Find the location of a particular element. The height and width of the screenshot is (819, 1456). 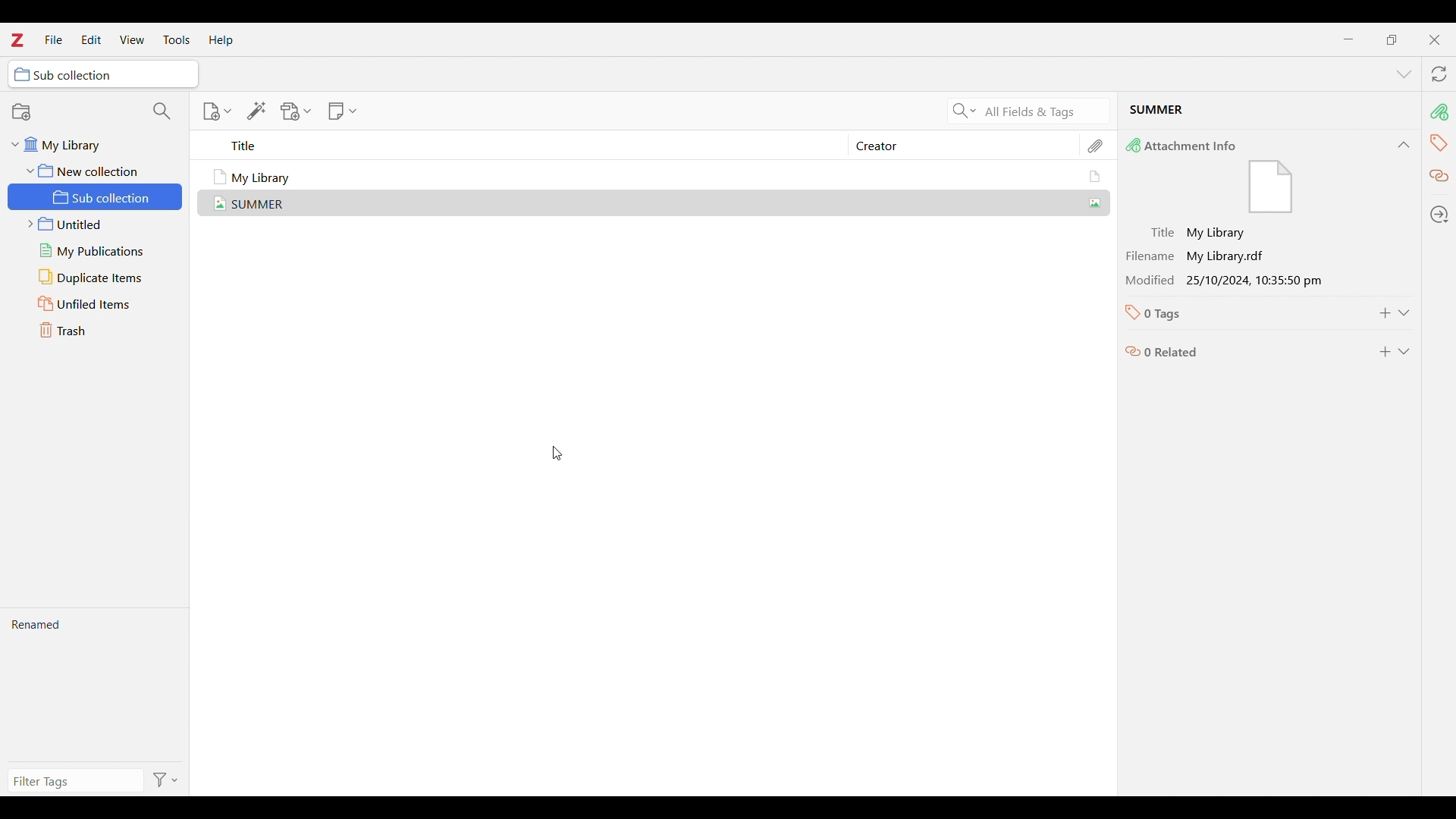

My Library is located at coordinates (659, 177).